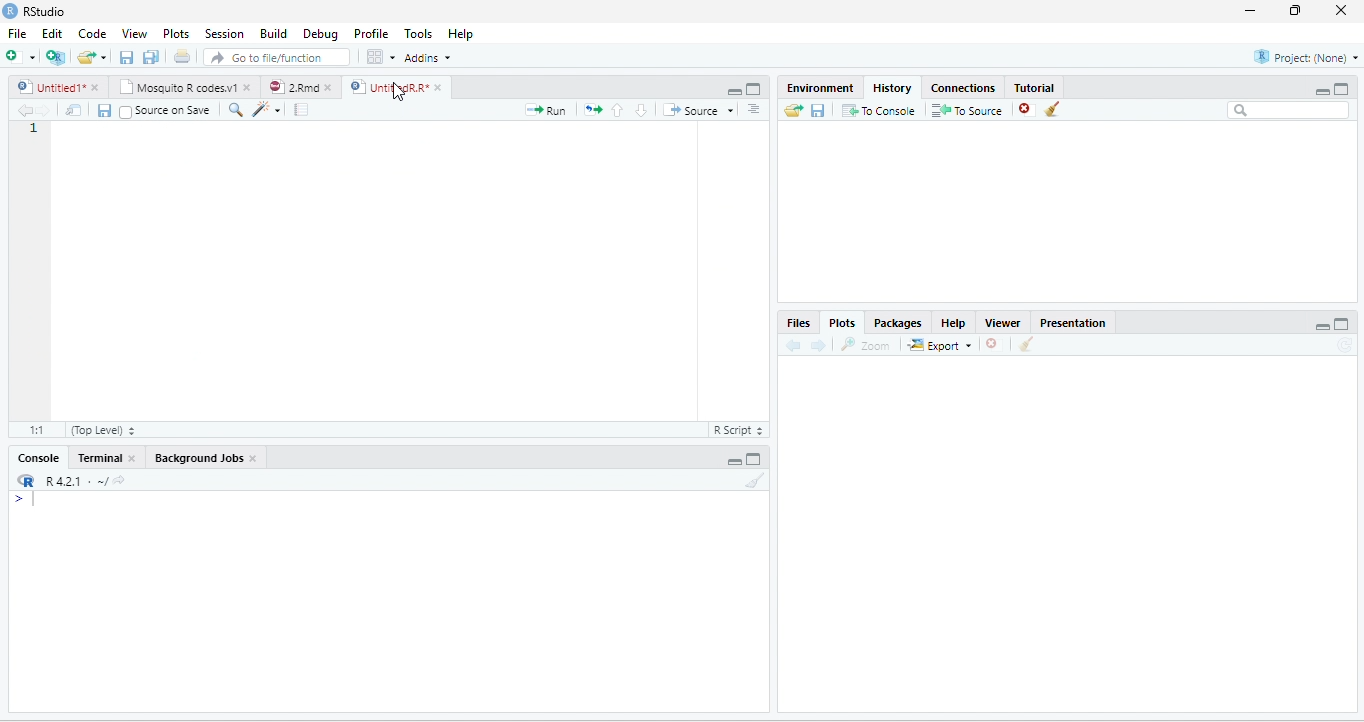 The image size is (1364, 722). What do you see at coordinates (246, 87) in the screenshot?
I see `close` at bounding box center [246, 87].